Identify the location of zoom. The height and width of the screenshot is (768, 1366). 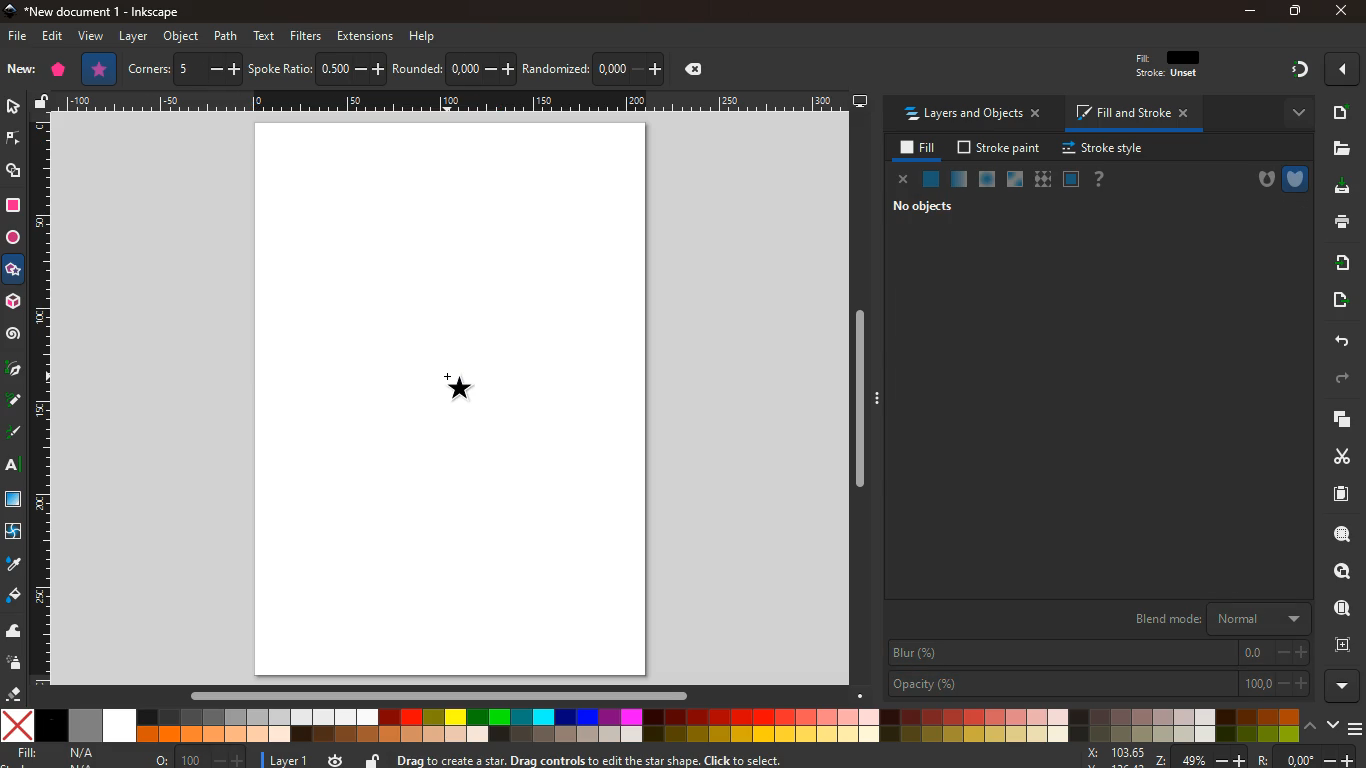
(1339, 536).